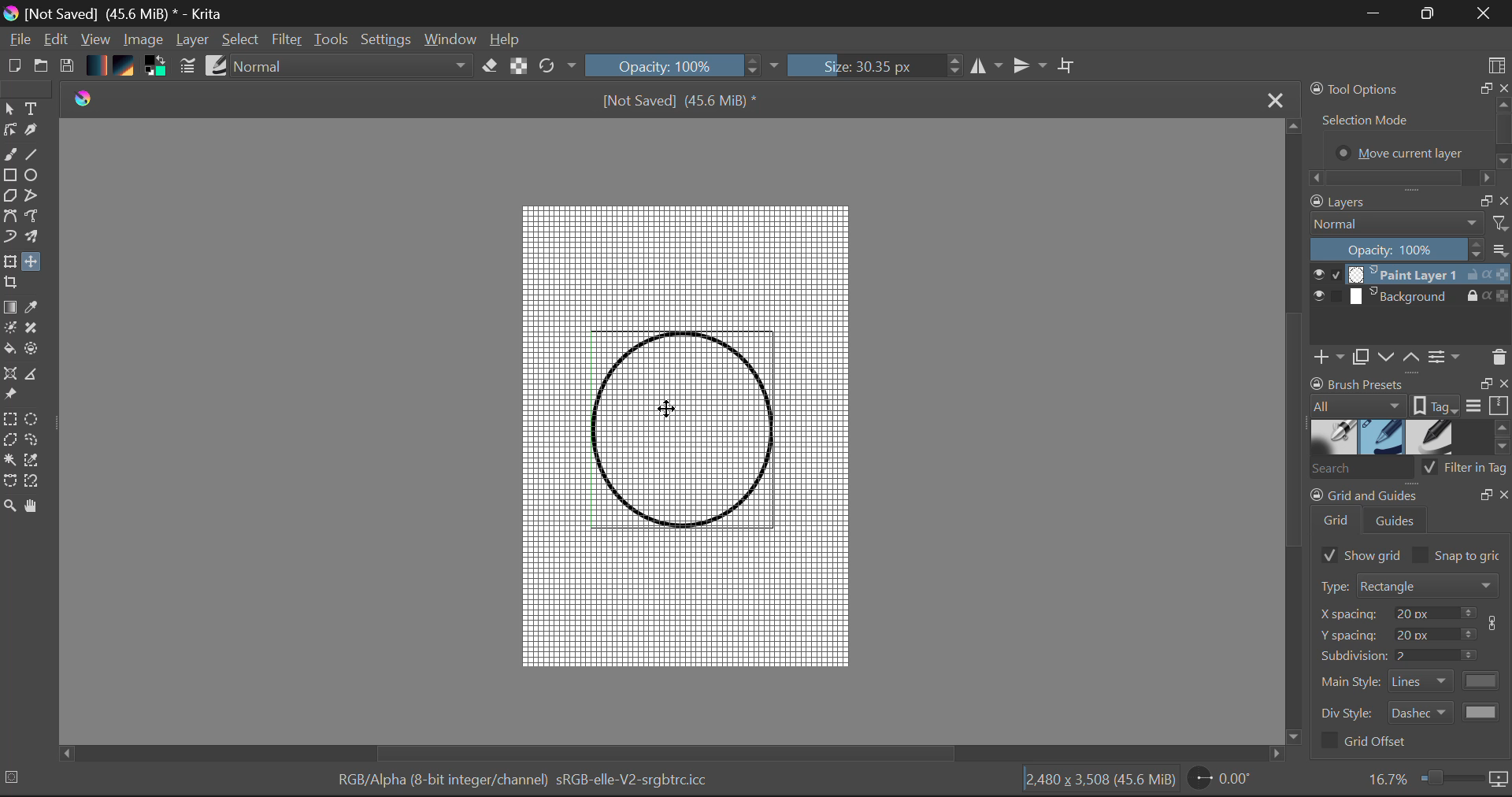 The width and height of the screenshot is (1512, 797). Describe the element at coordinates (117, 13) in the screenshot. I see `Window Title` at that location.